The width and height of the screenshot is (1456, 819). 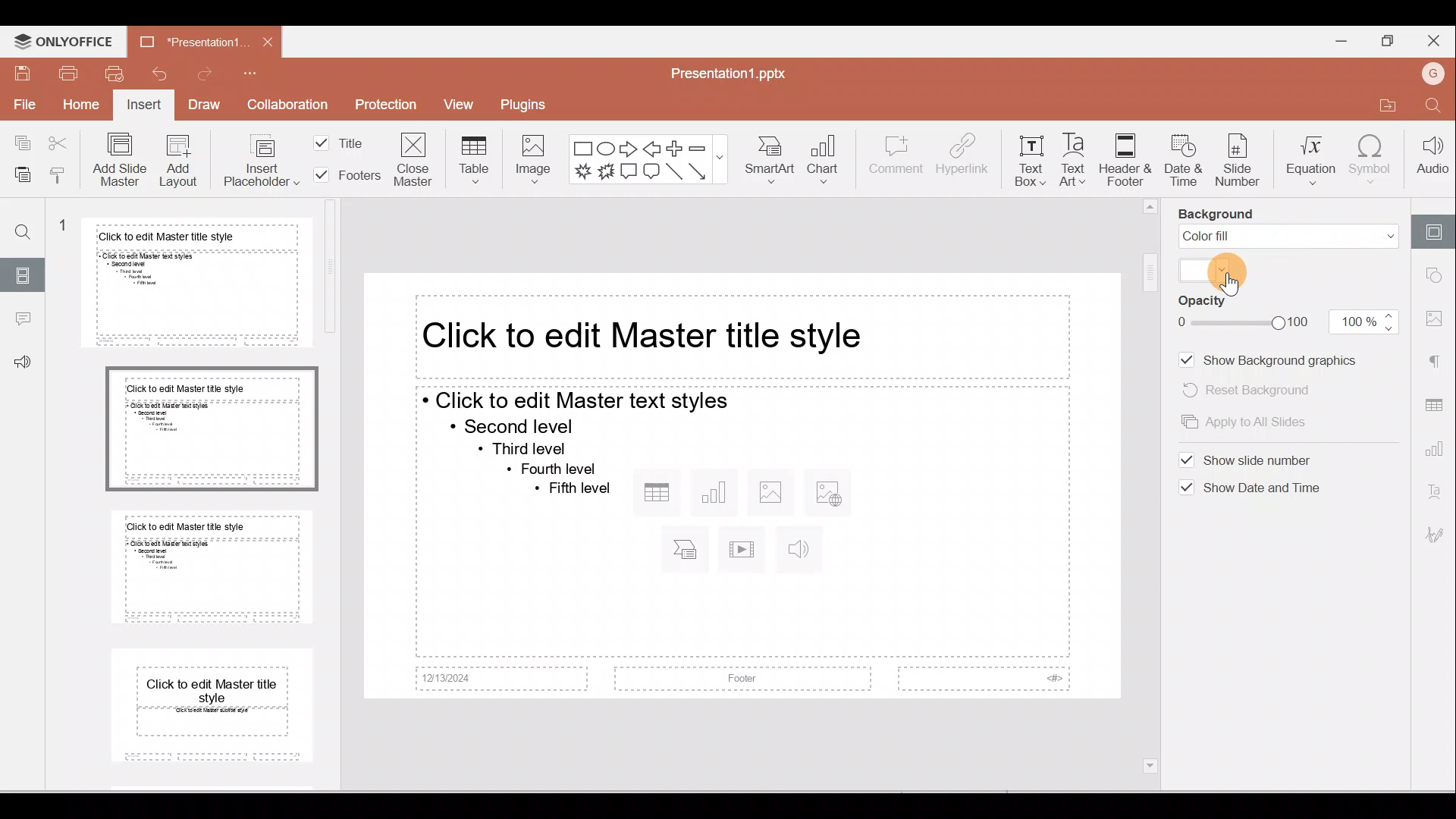 I want to click on Text Art settings, so click(x=1437, y=493).